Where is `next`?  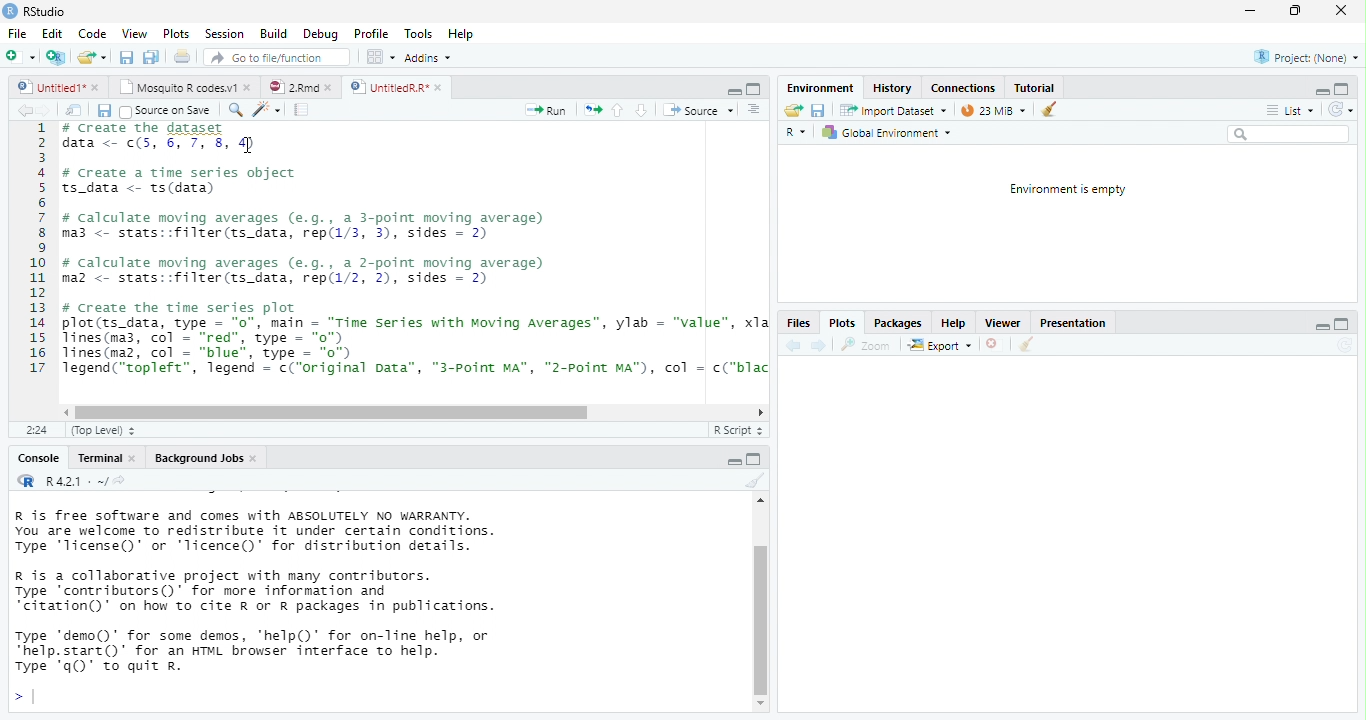
next is located at coordinates (819, 345).